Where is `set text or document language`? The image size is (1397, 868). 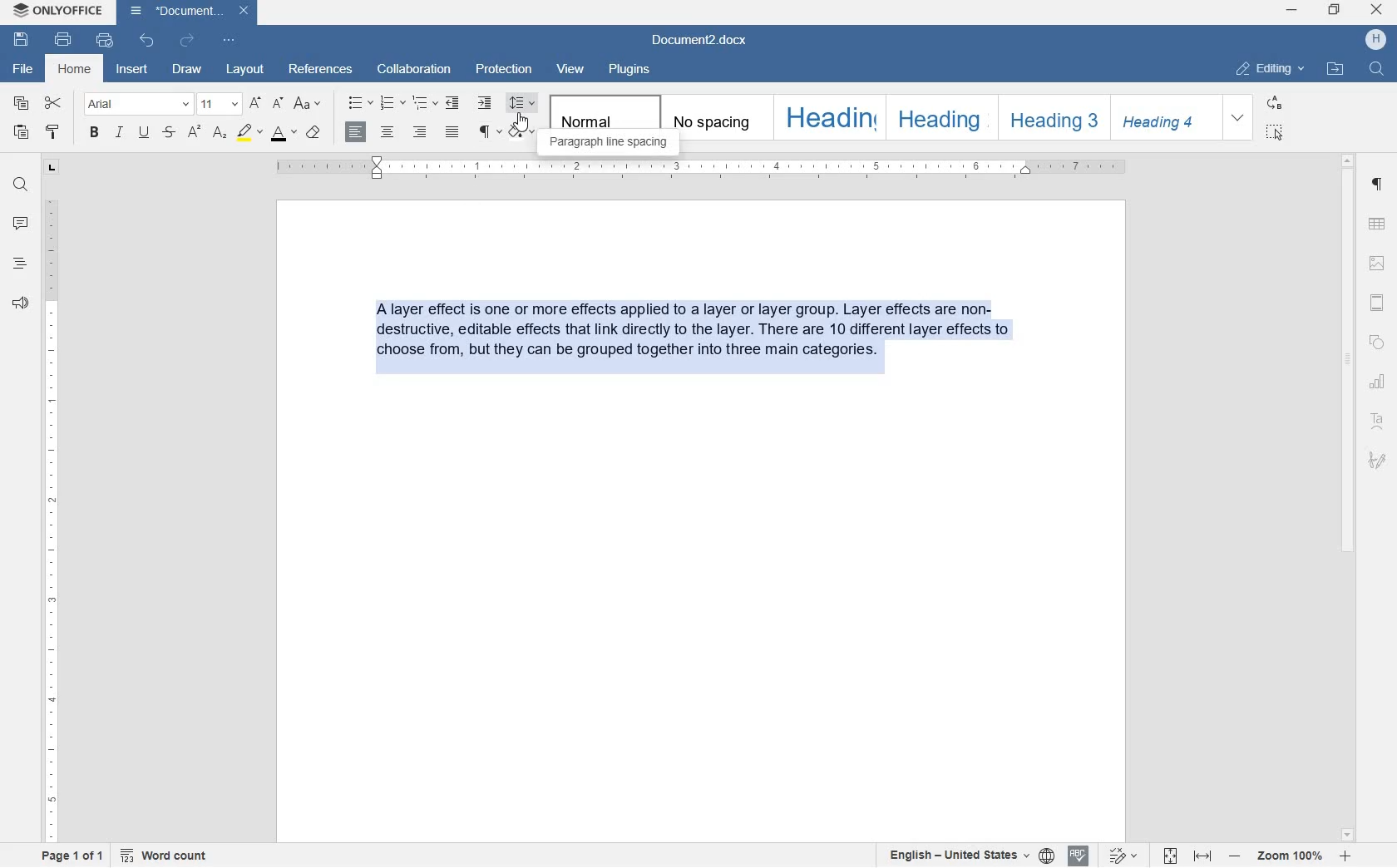 set text or document language is located at coordinates (967, 855).